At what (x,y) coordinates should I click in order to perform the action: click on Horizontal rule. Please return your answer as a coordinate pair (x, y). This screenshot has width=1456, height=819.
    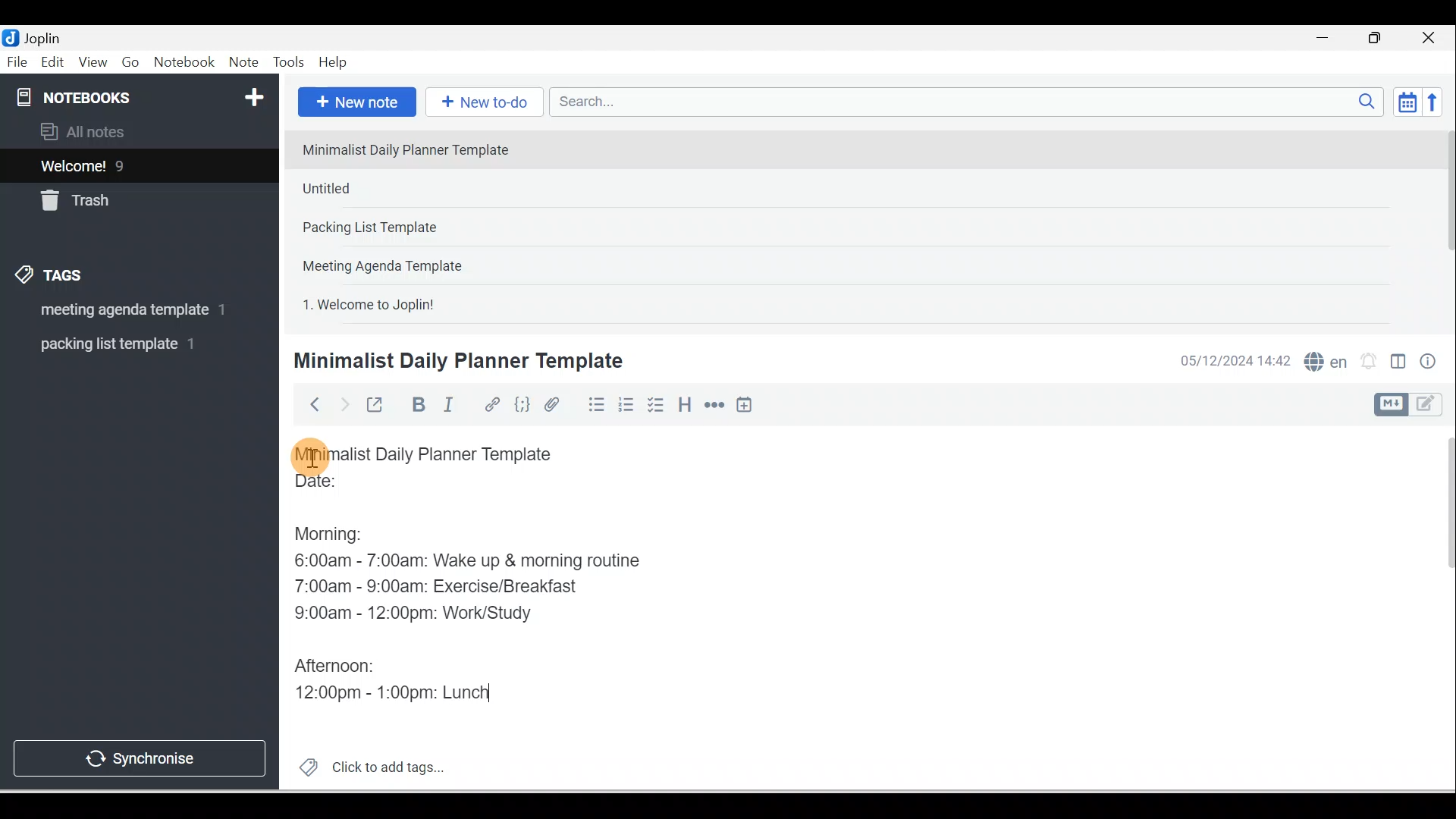
    Looking at the image, I should click on (716, 405).